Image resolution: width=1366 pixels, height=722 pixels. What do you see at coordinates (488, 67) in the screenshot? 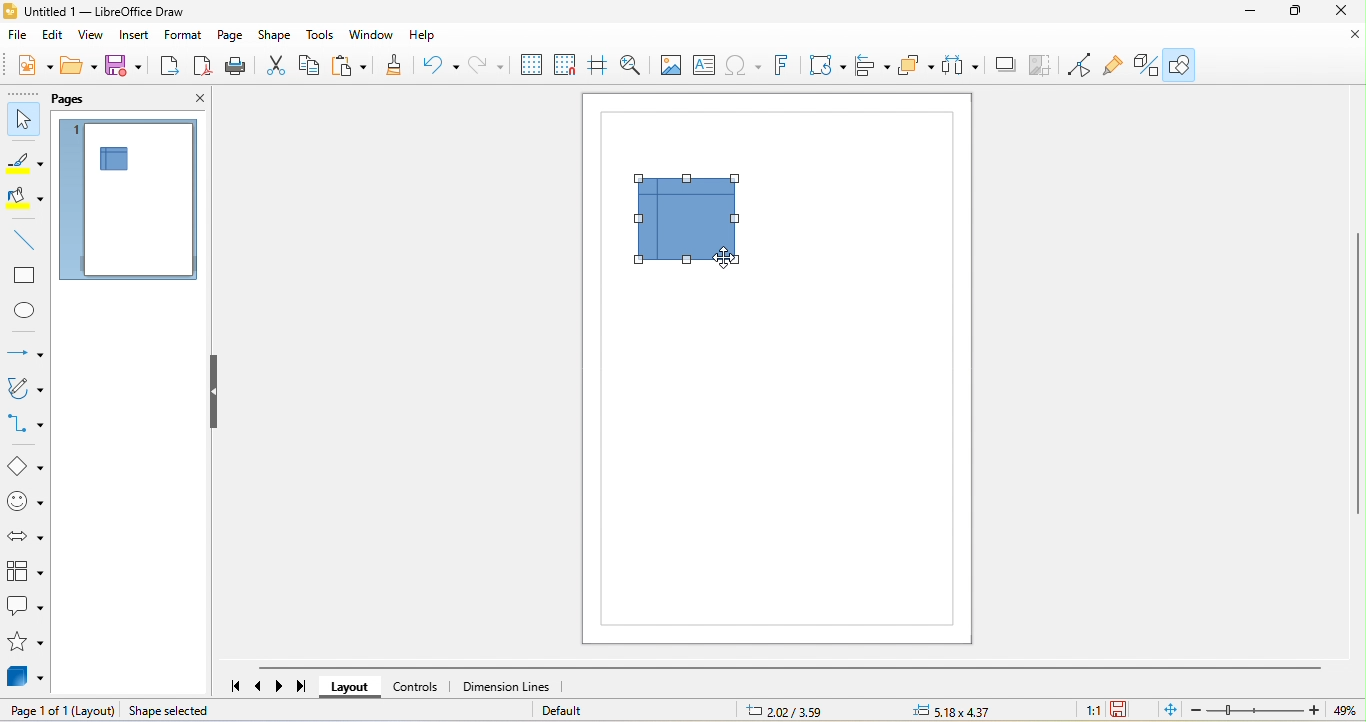
I see `redo` at bounding box center [488, 67].